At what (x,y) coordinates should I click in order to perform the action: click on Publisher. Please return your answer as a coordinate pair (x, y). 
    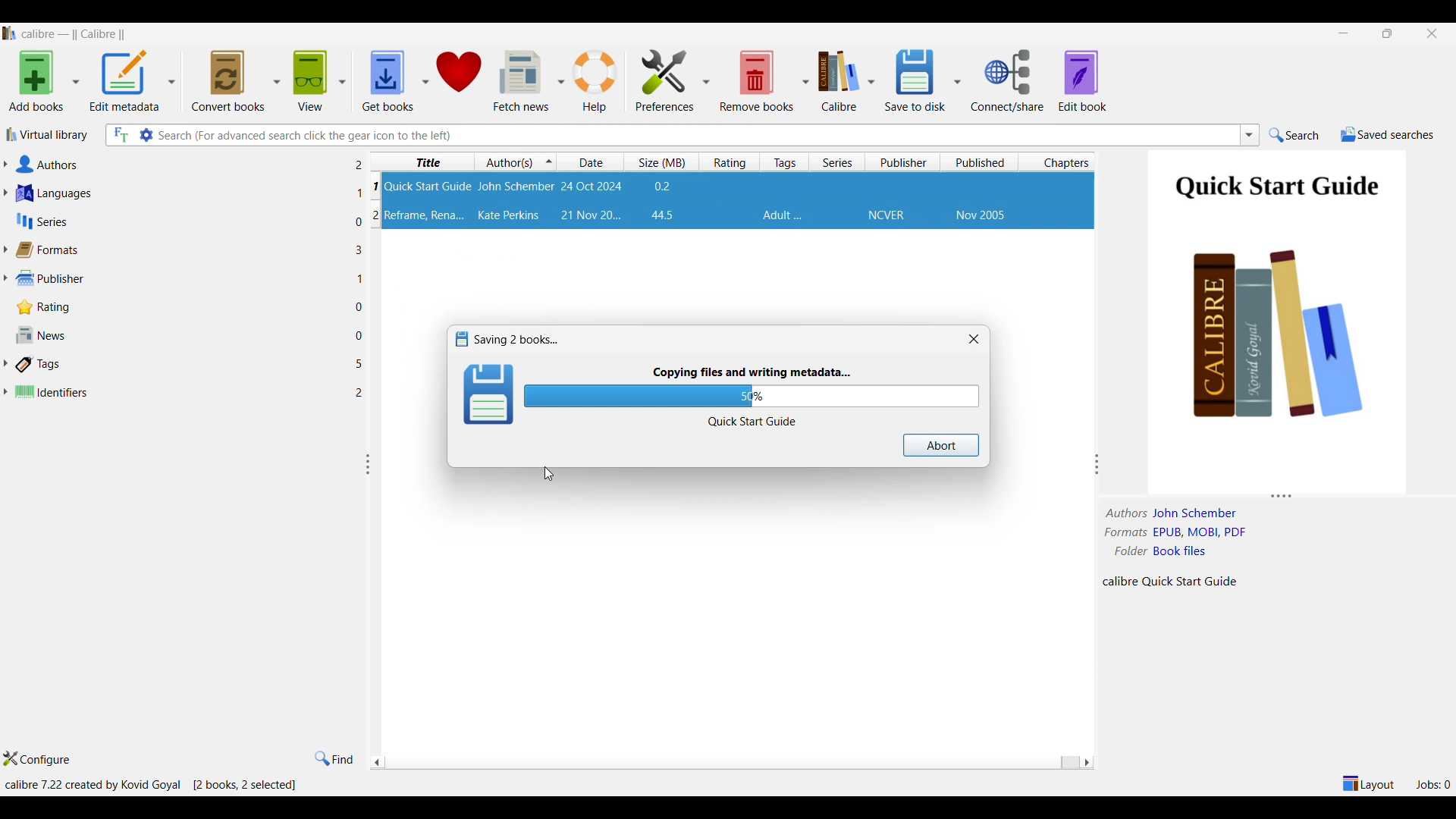
    Looking at the image, I should click on (174, 277).